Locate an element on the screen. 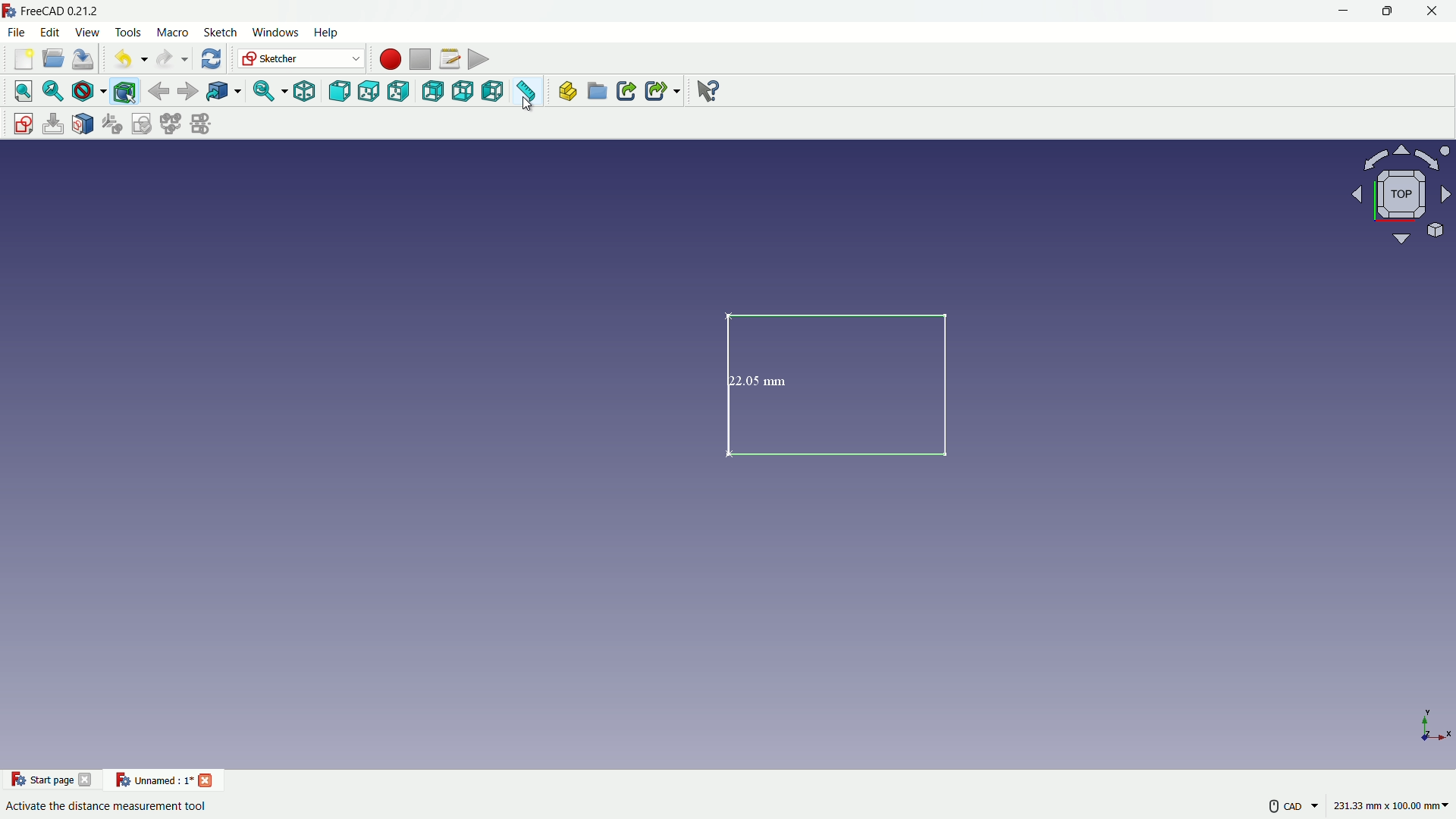 This screenshot has width=1456, height=819. rotate or change view is located at coordinates (1394, 199).